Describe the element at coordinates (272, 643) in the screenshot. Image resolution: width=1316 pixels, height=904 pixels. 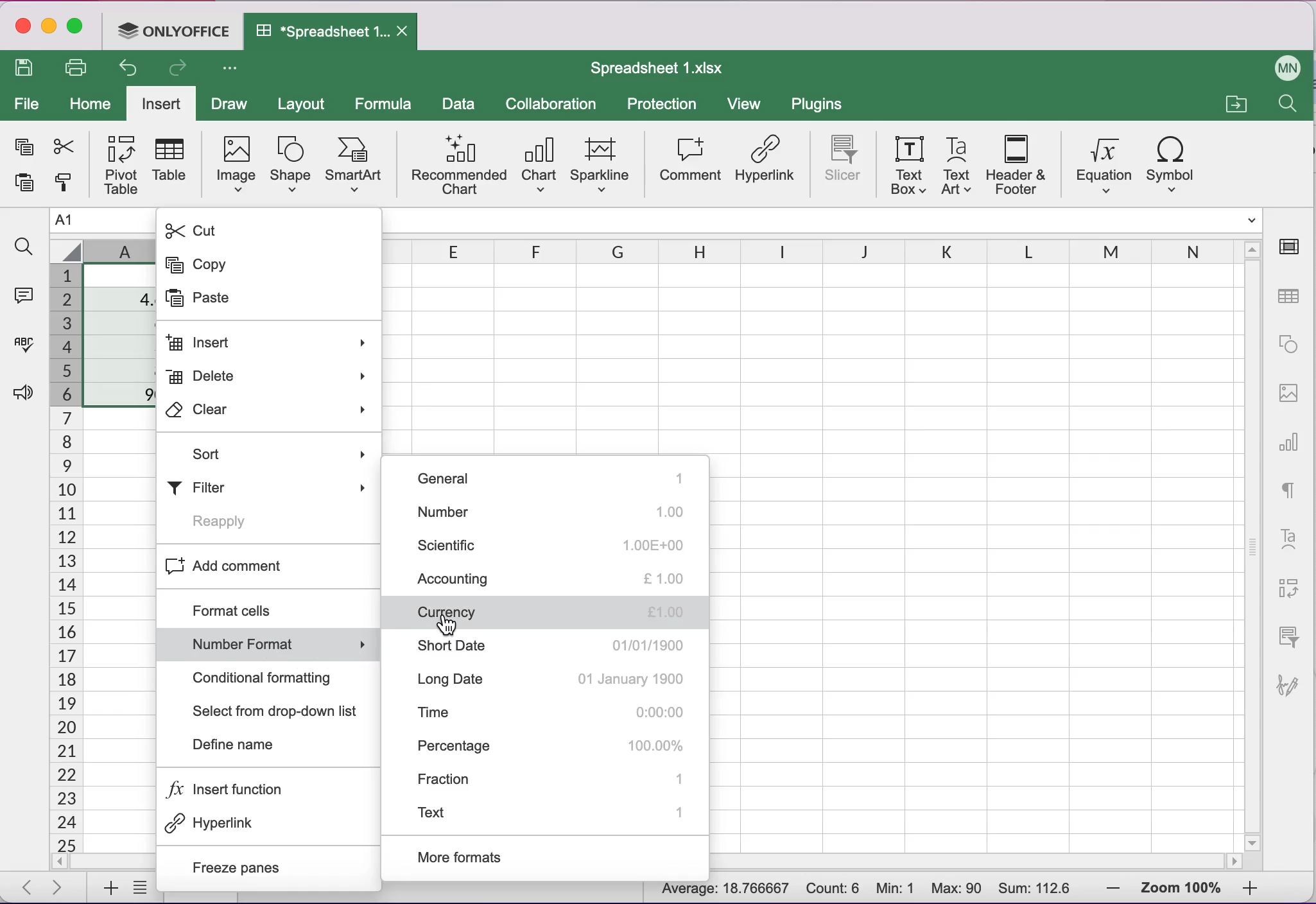
I see `Number format` at that location.